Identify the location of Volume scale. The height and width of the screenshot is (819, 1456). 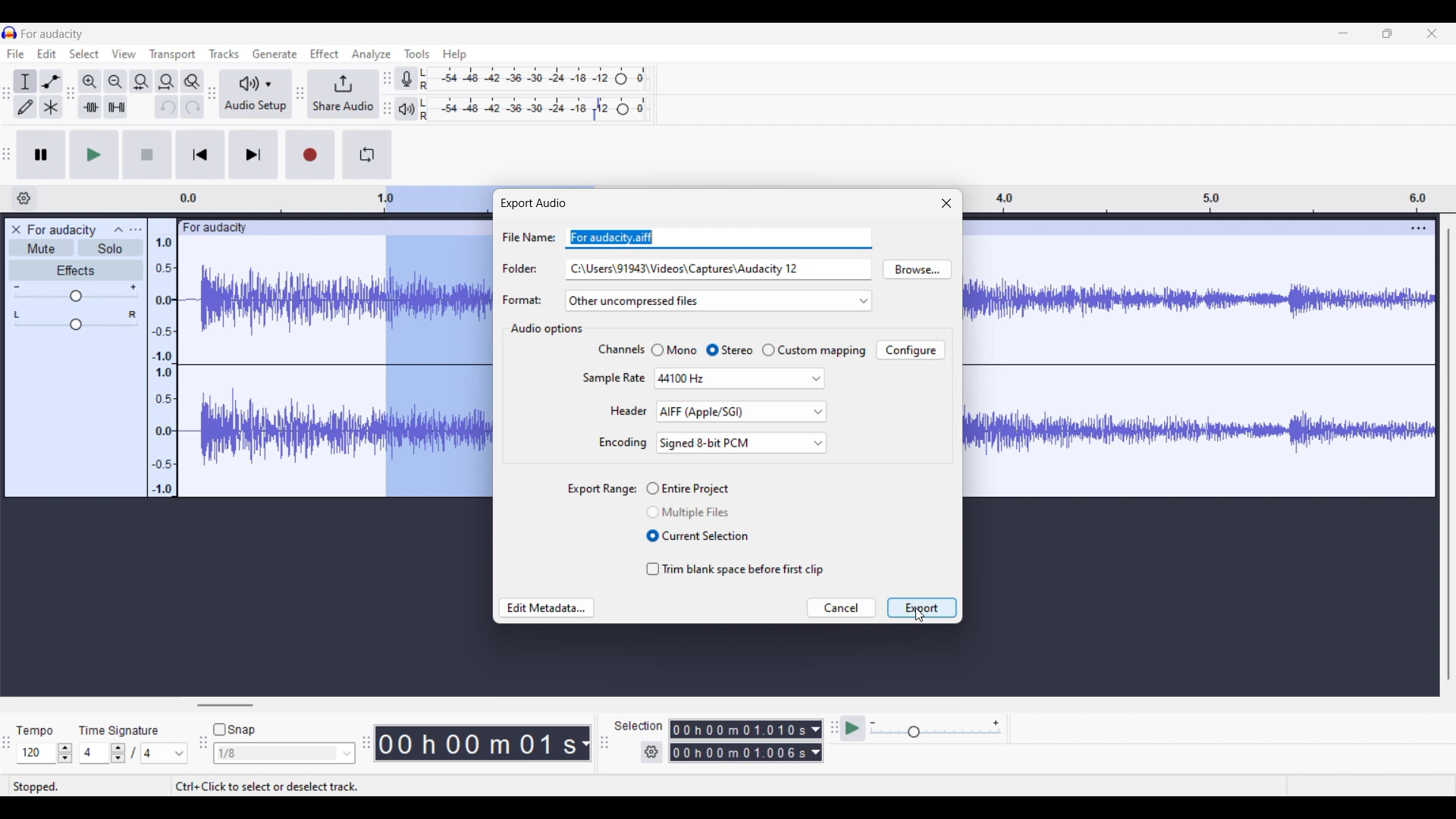
(74, 293).